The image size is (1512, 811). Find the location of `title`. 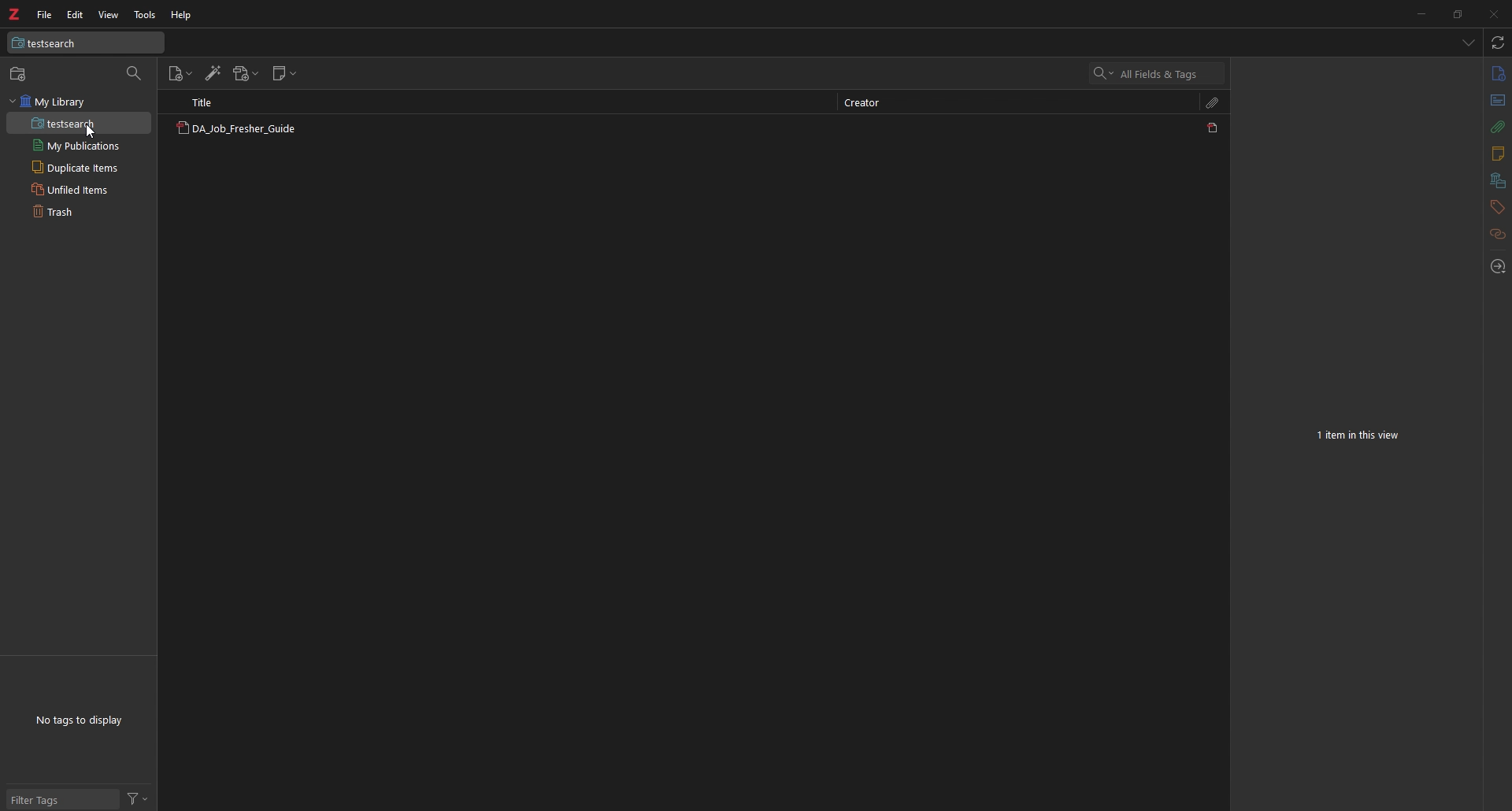

title is located at coordinates (210, 102).